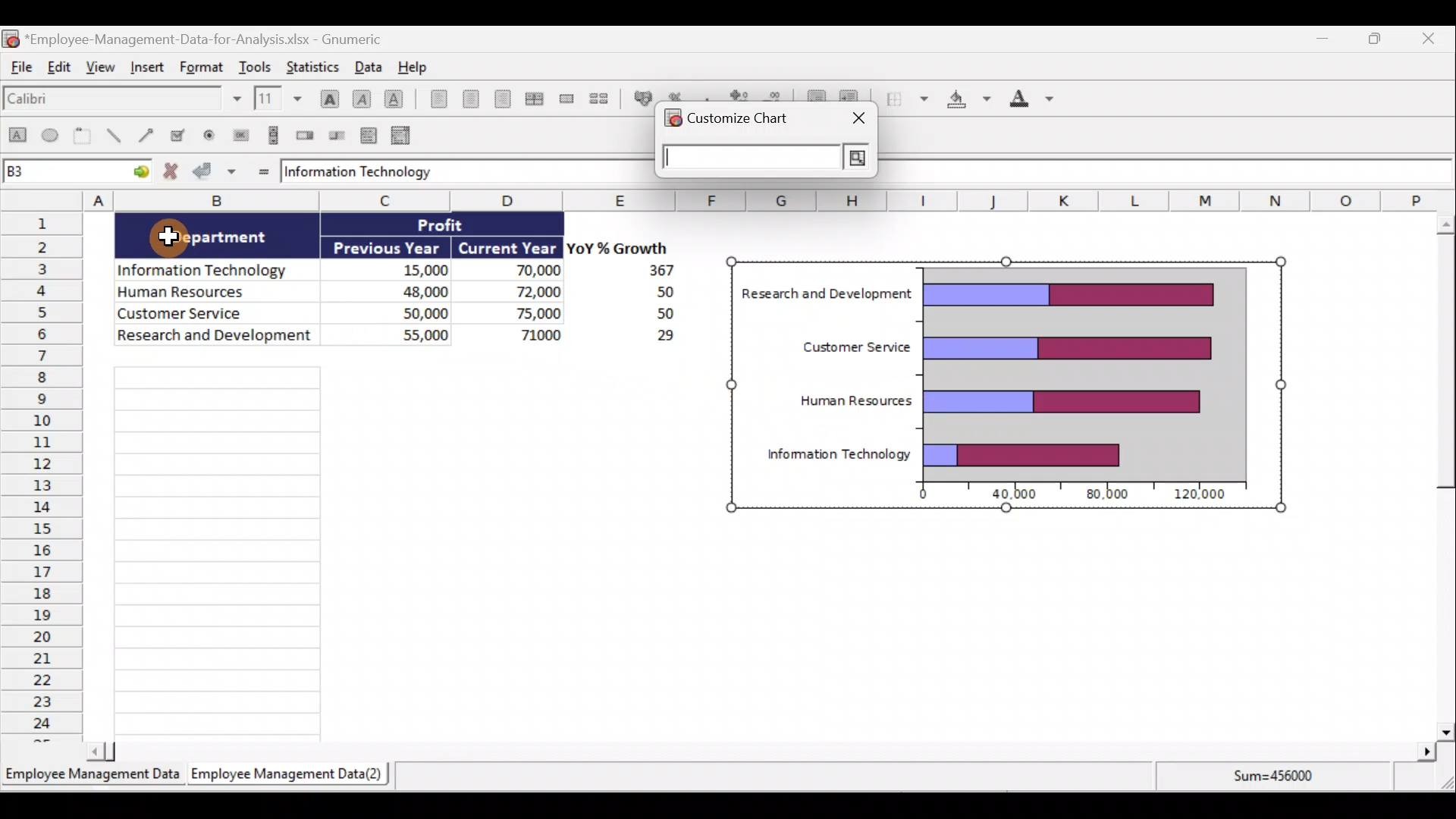  I want to click on Create an arrow object, so click(146, 133).